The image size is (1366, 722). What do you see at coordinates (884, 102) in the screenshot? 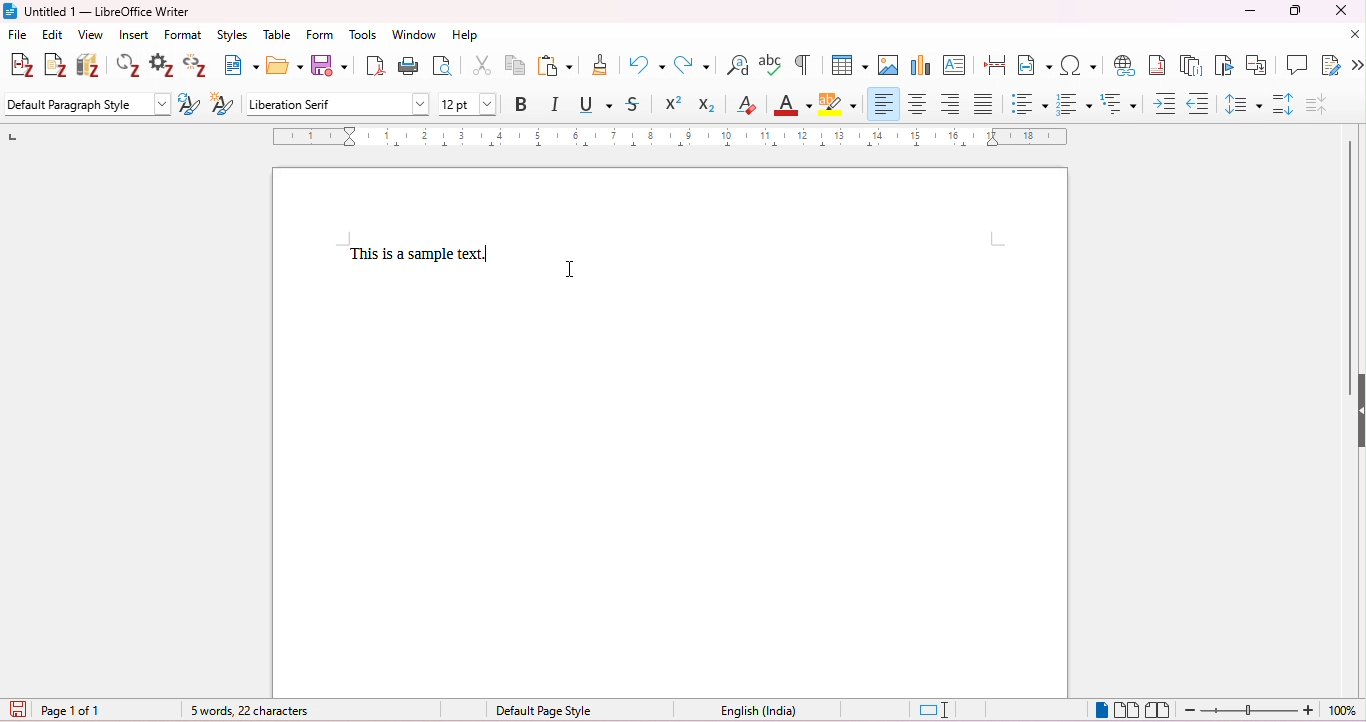
I see `align left` at bounding box center [884, 102].